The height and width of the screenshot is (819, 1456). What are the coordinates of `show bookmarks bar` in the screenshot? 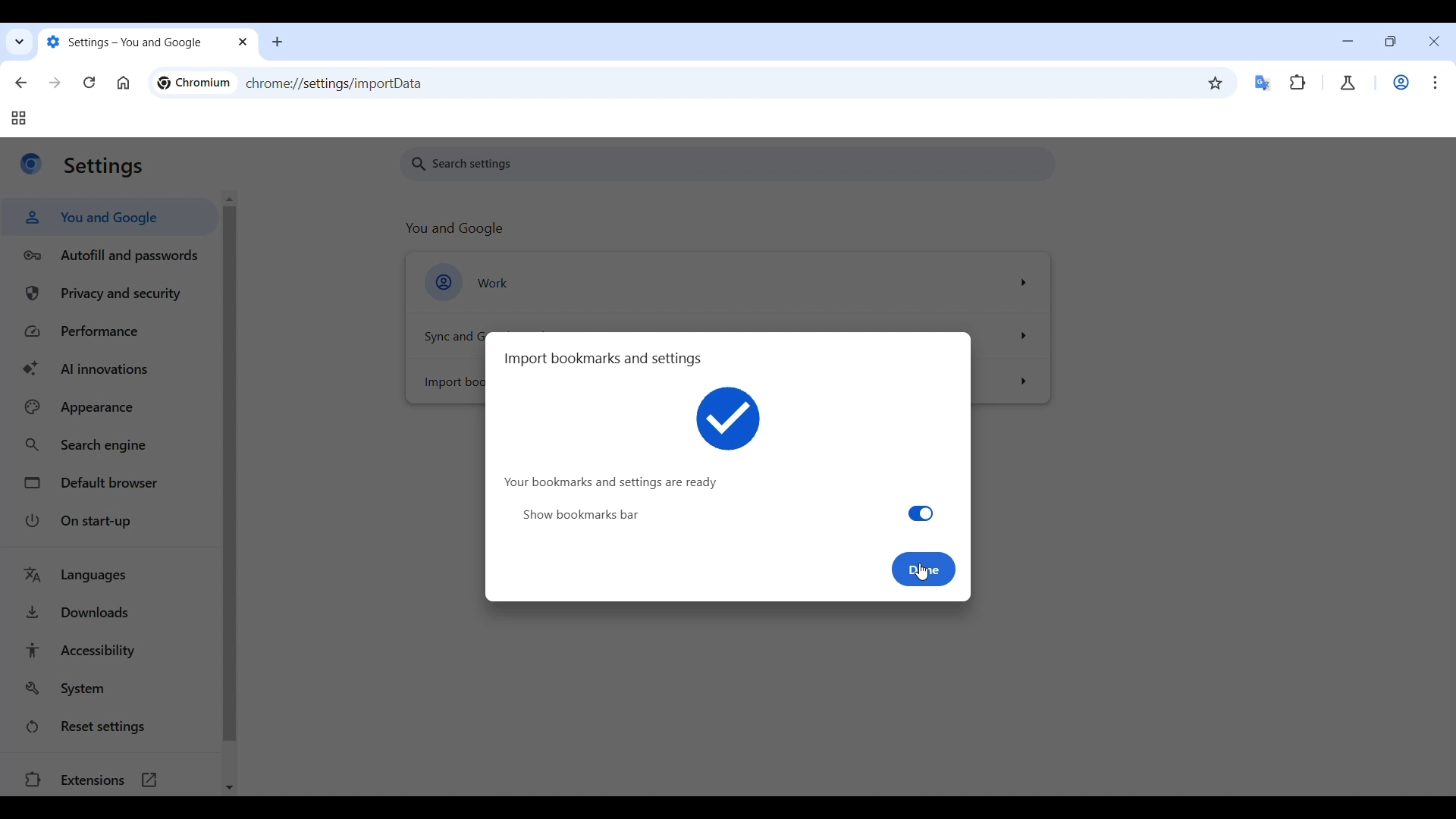 It's located at (726, 514).